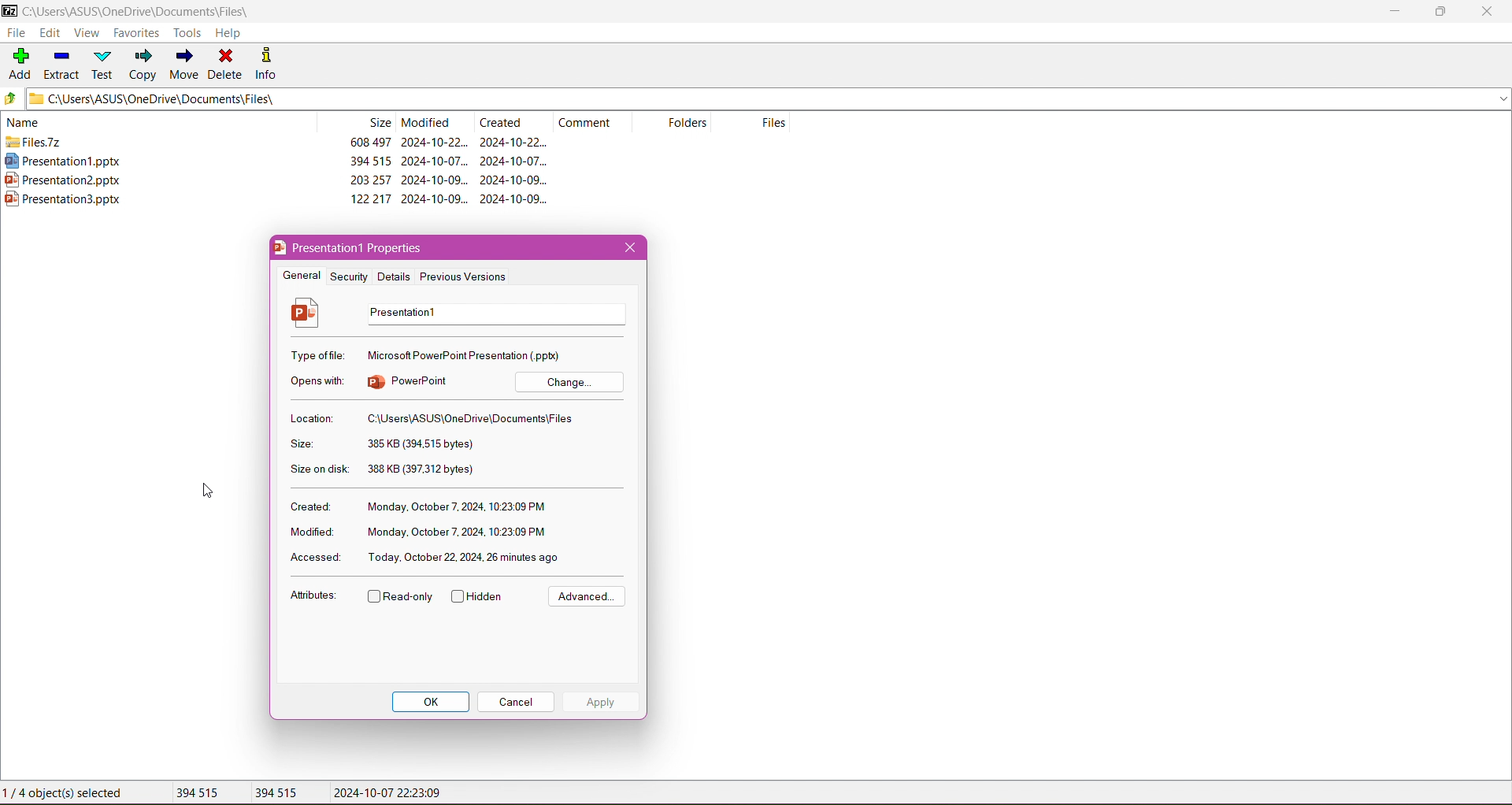 The height and width of the screenshot is (805, 1512). What do you see at coordinates (371, 180) in the screenshot?
I see `203 257` at bounding box center [371, 180].